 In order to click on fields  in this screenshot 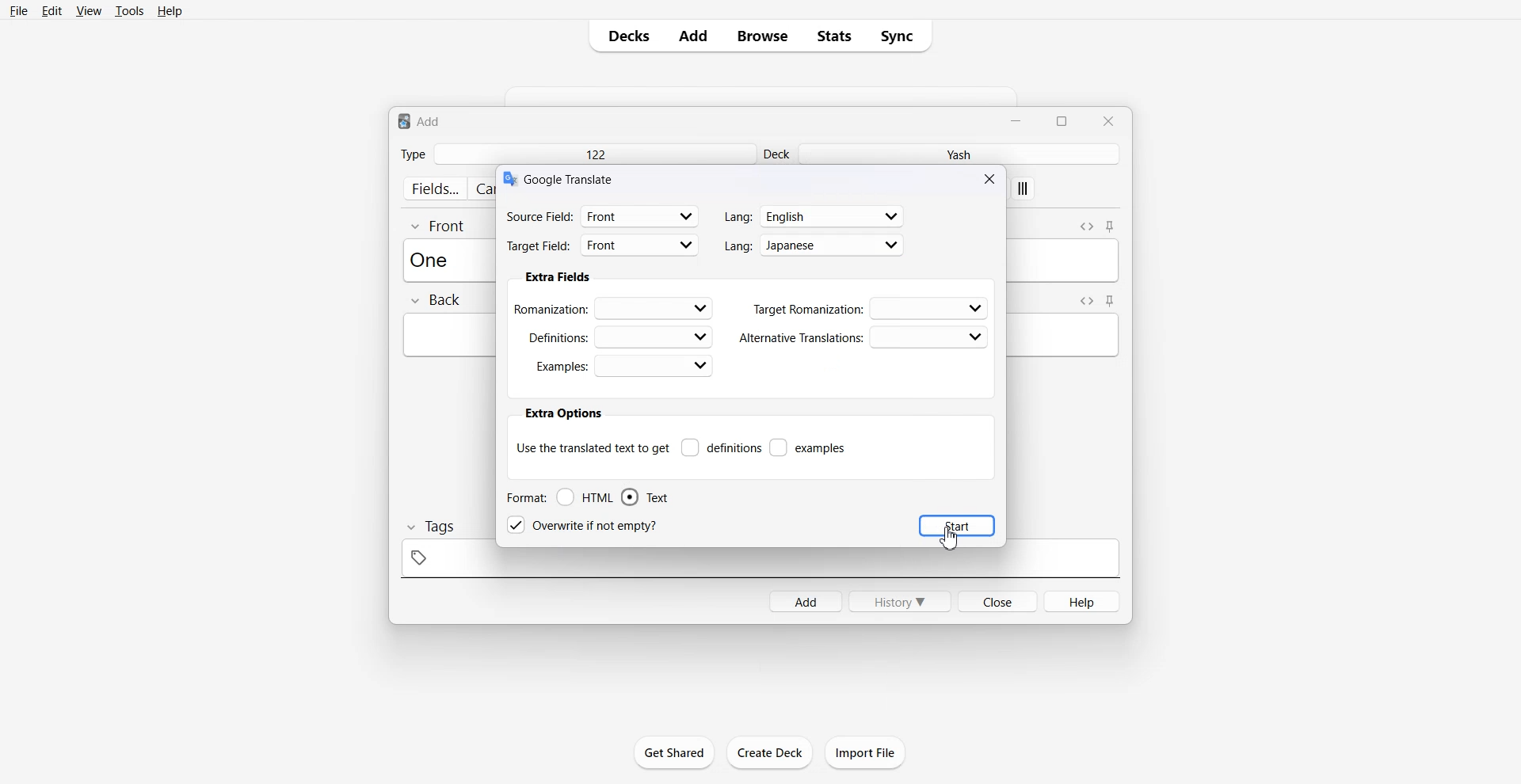, I will do `click(434, 188)`.